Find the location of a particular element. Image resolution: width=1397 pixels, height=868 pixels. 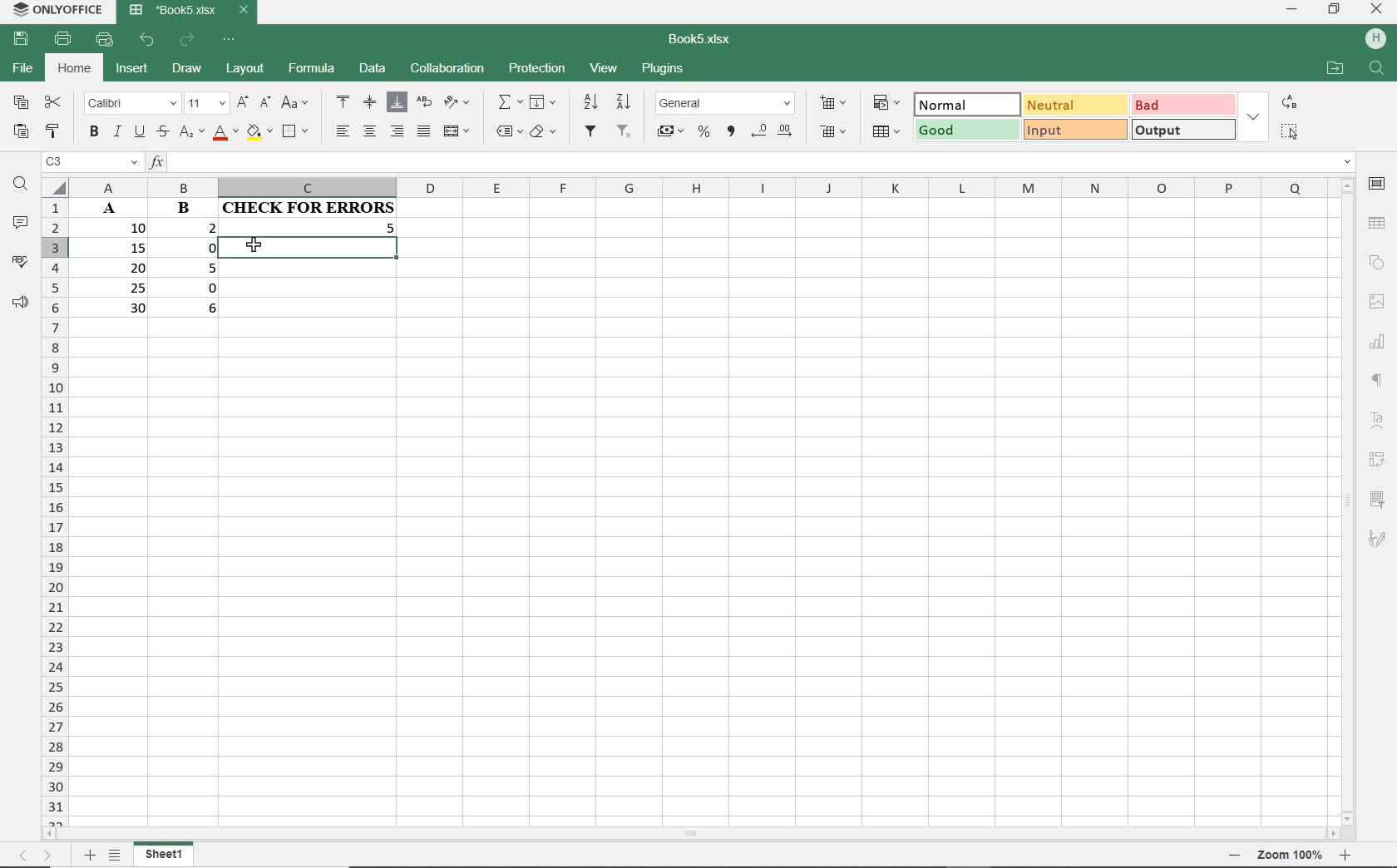

GOOD is located at coordinates (966, 131).